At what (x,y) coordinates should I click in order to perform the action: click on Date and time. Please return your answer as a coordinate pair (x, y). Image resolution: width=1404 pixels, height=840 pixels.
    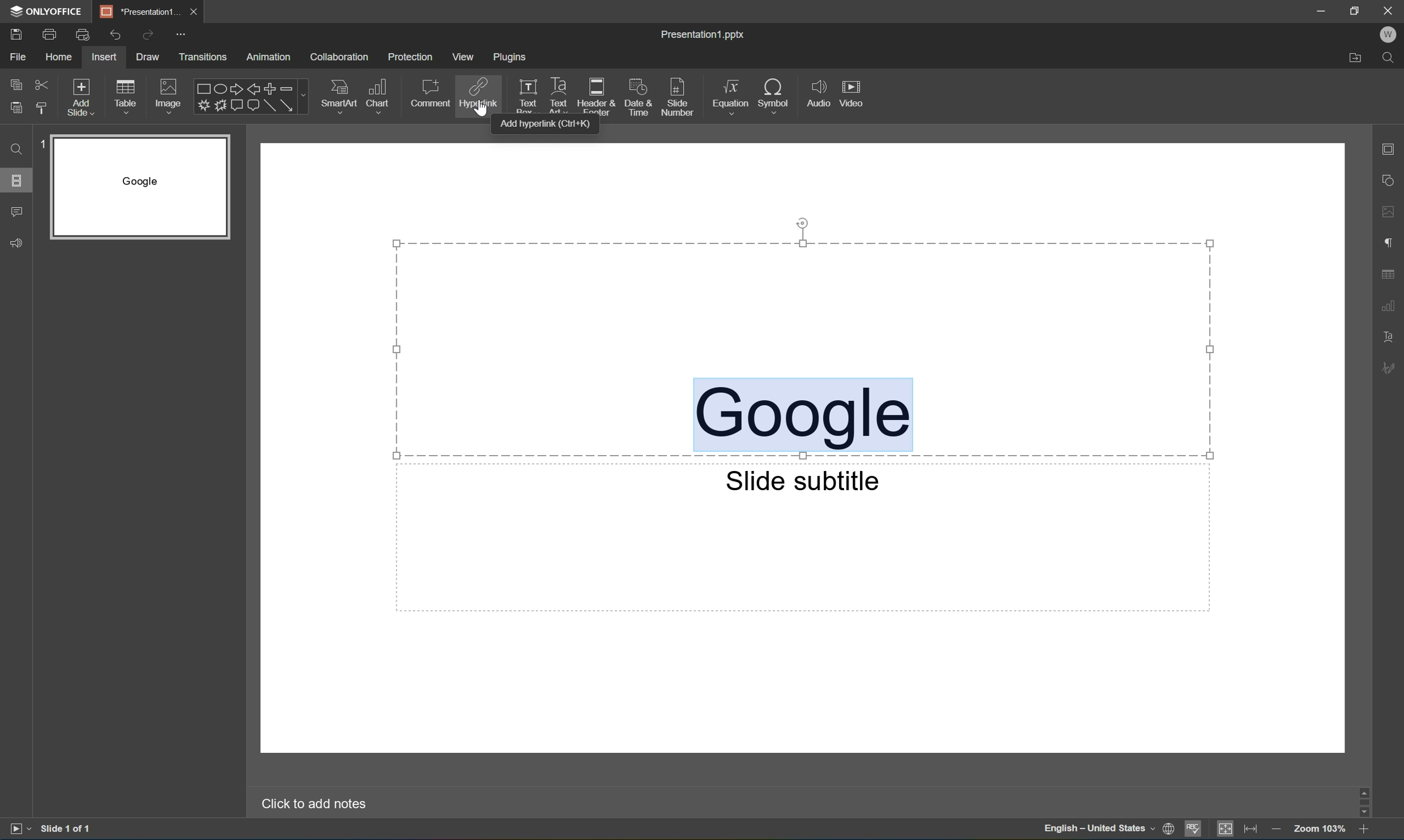
    Looking at the image, I should click on (640, 95).